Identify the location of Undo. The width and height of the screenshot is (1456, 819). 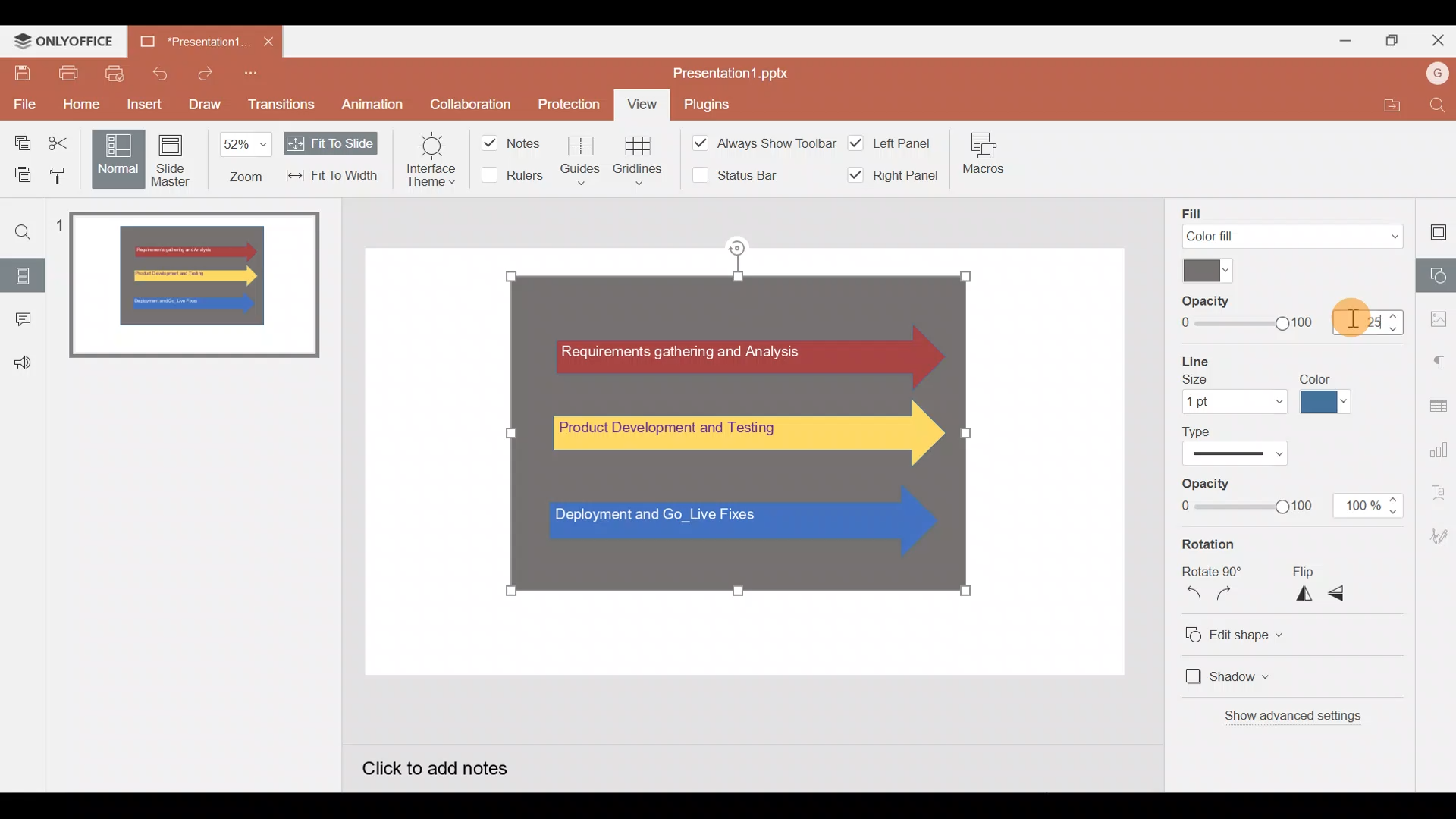
(162, 72).